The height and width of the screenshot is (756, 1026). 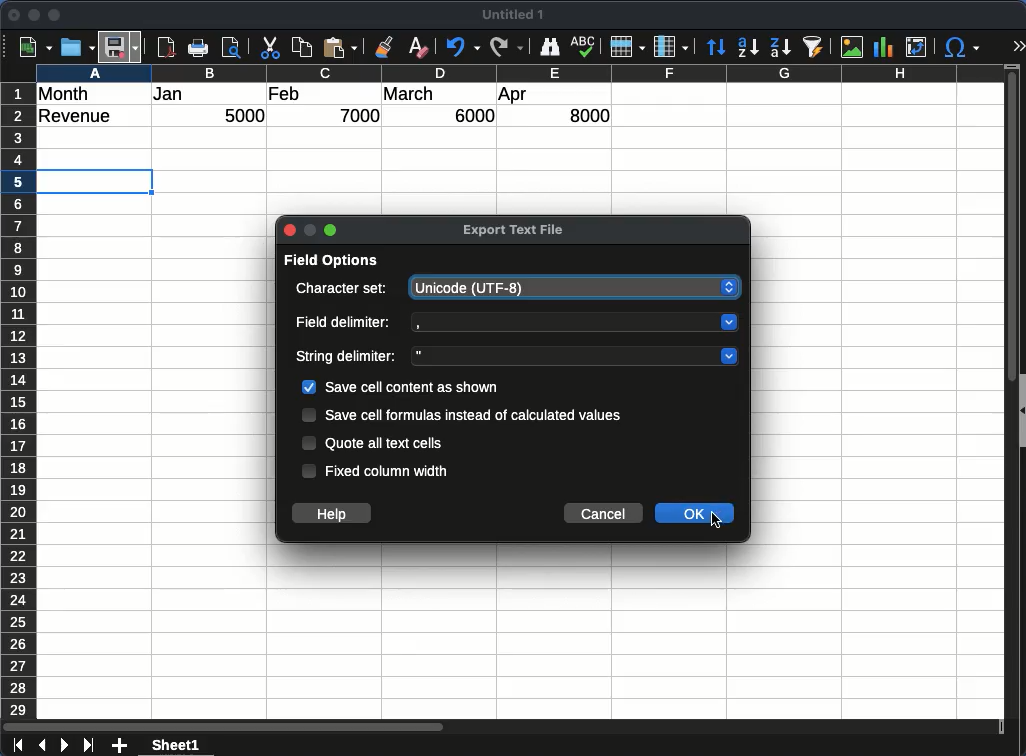 I want to click on Minimize, so click(x=310, y=228).